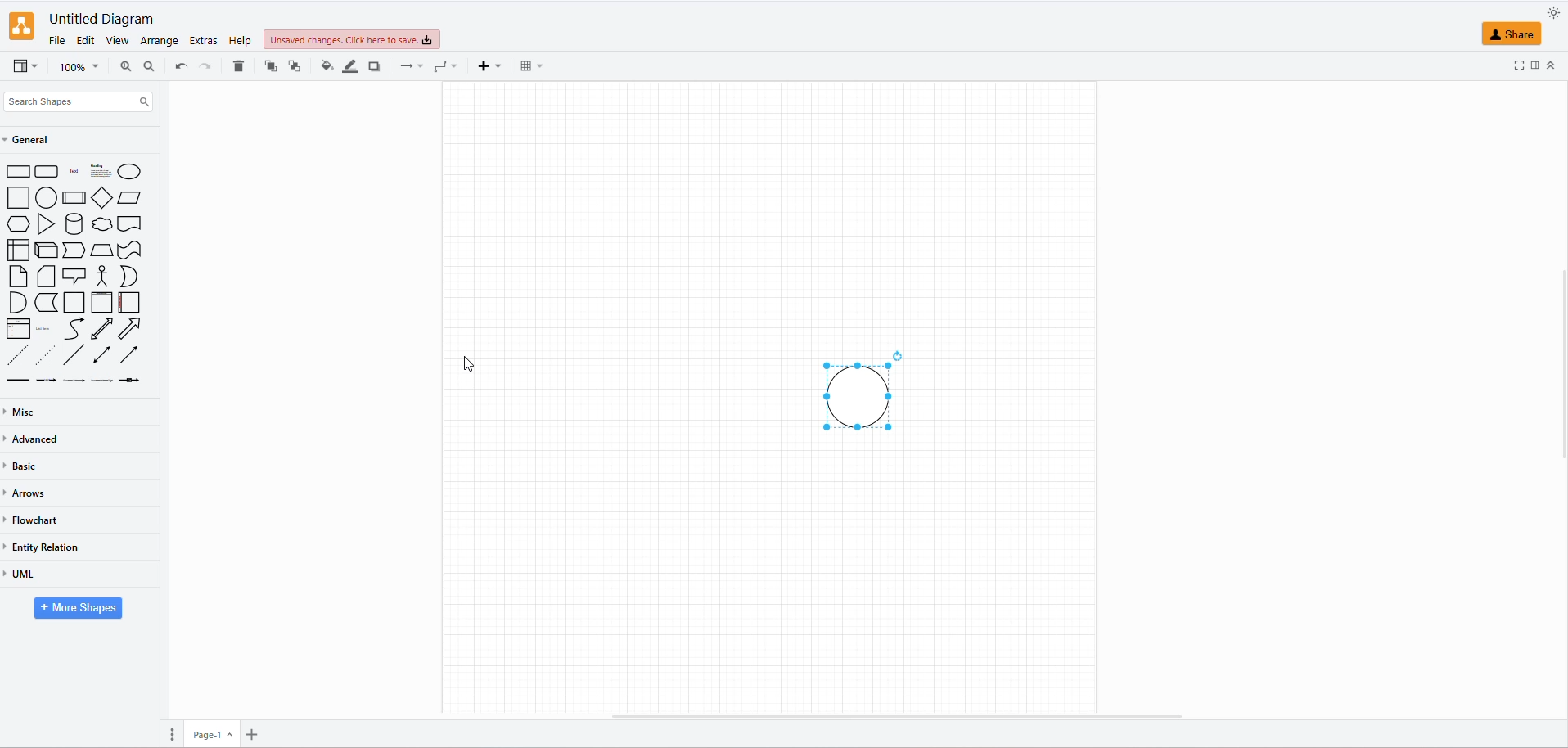  I want to click on REDO, so click(204, 66).